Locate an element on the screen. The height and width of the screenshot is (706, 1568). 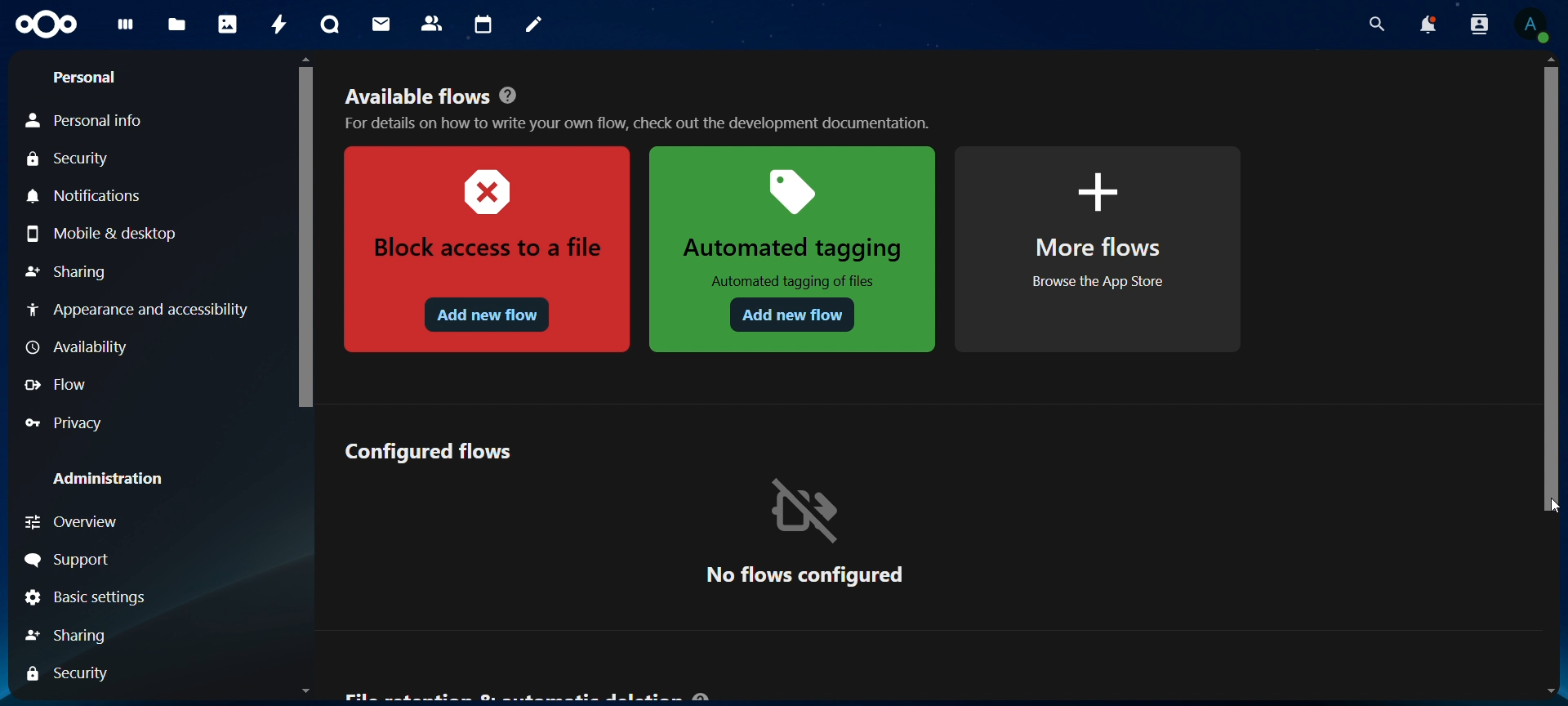
files is located at coordinates (177, 26).